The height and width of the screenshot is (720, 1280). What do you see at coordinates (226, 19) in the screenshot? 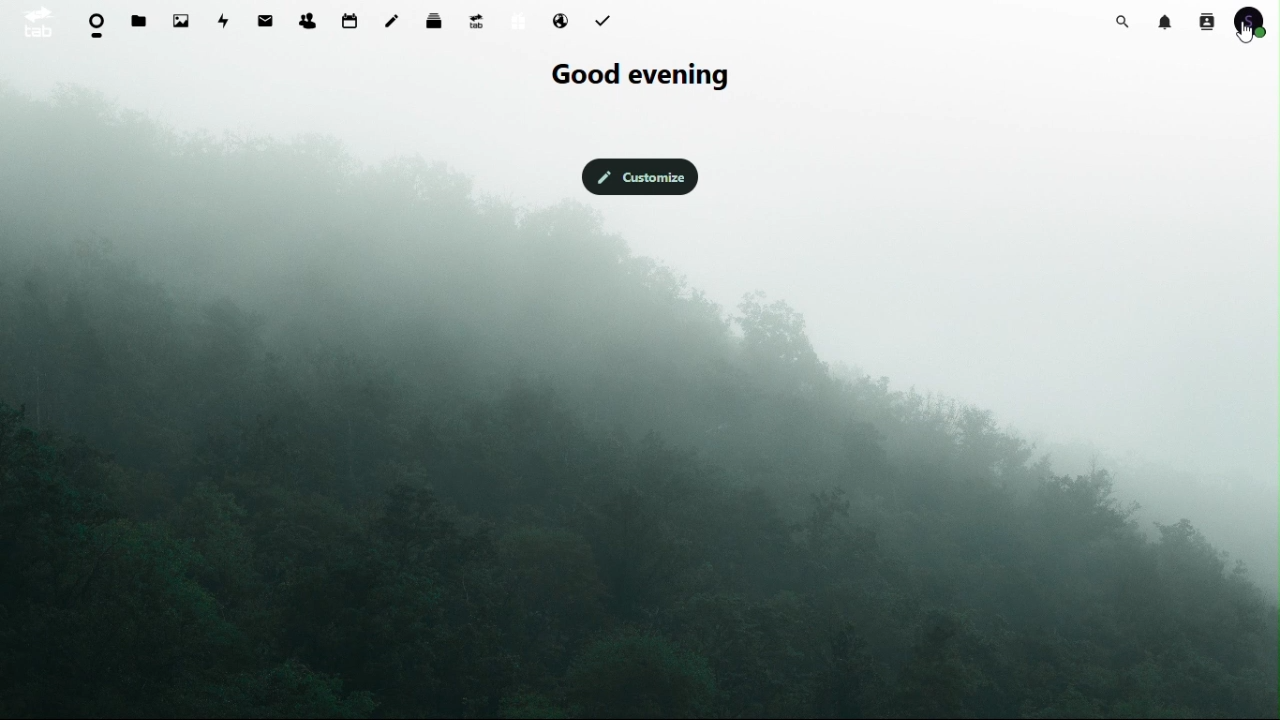
I see `Activity` at bounding box center [226, 19].